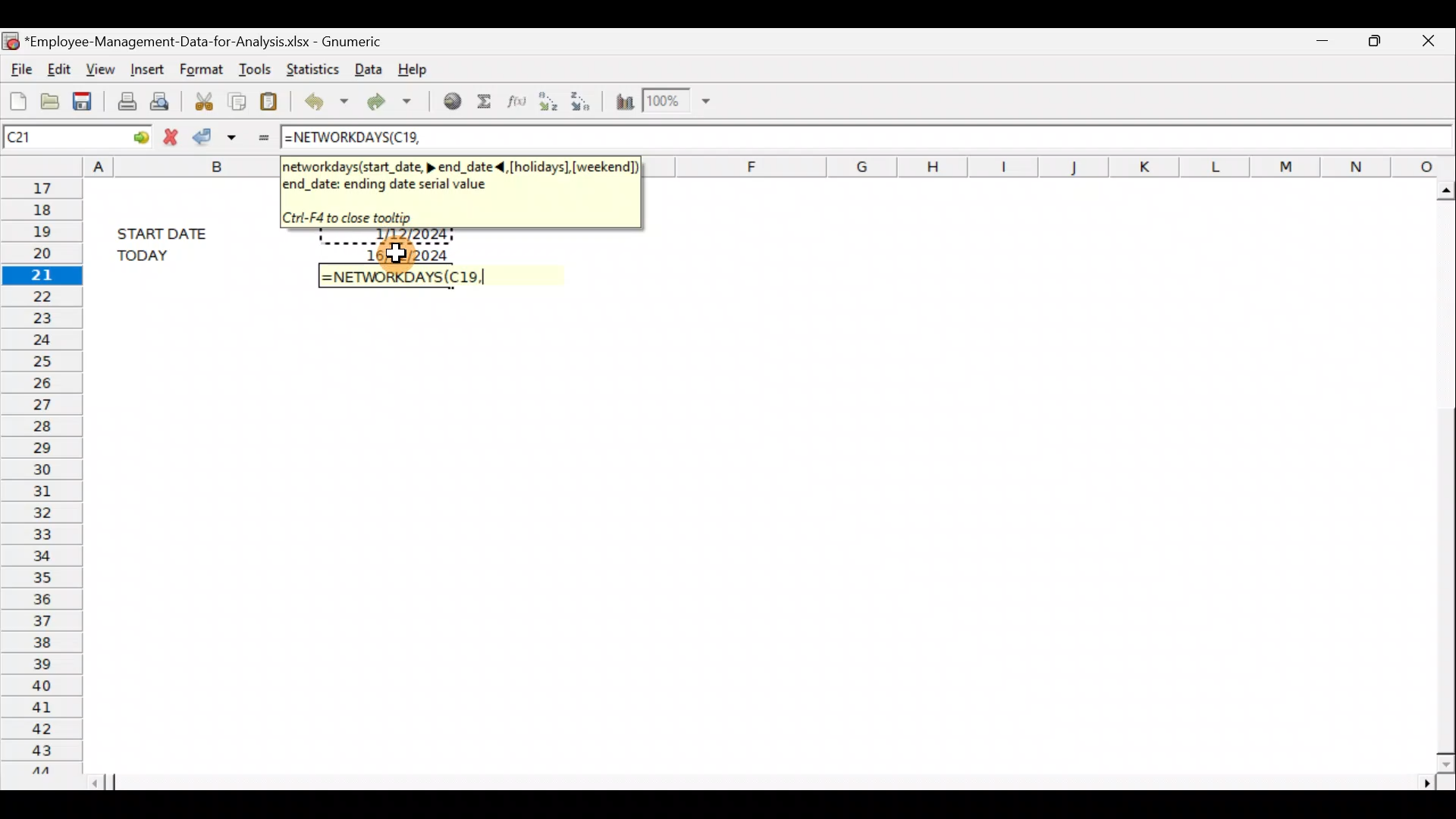  What do you see at coordinates (124, 100) in the screenshot?
I see `Print current file` at bounding box center [124, 100].